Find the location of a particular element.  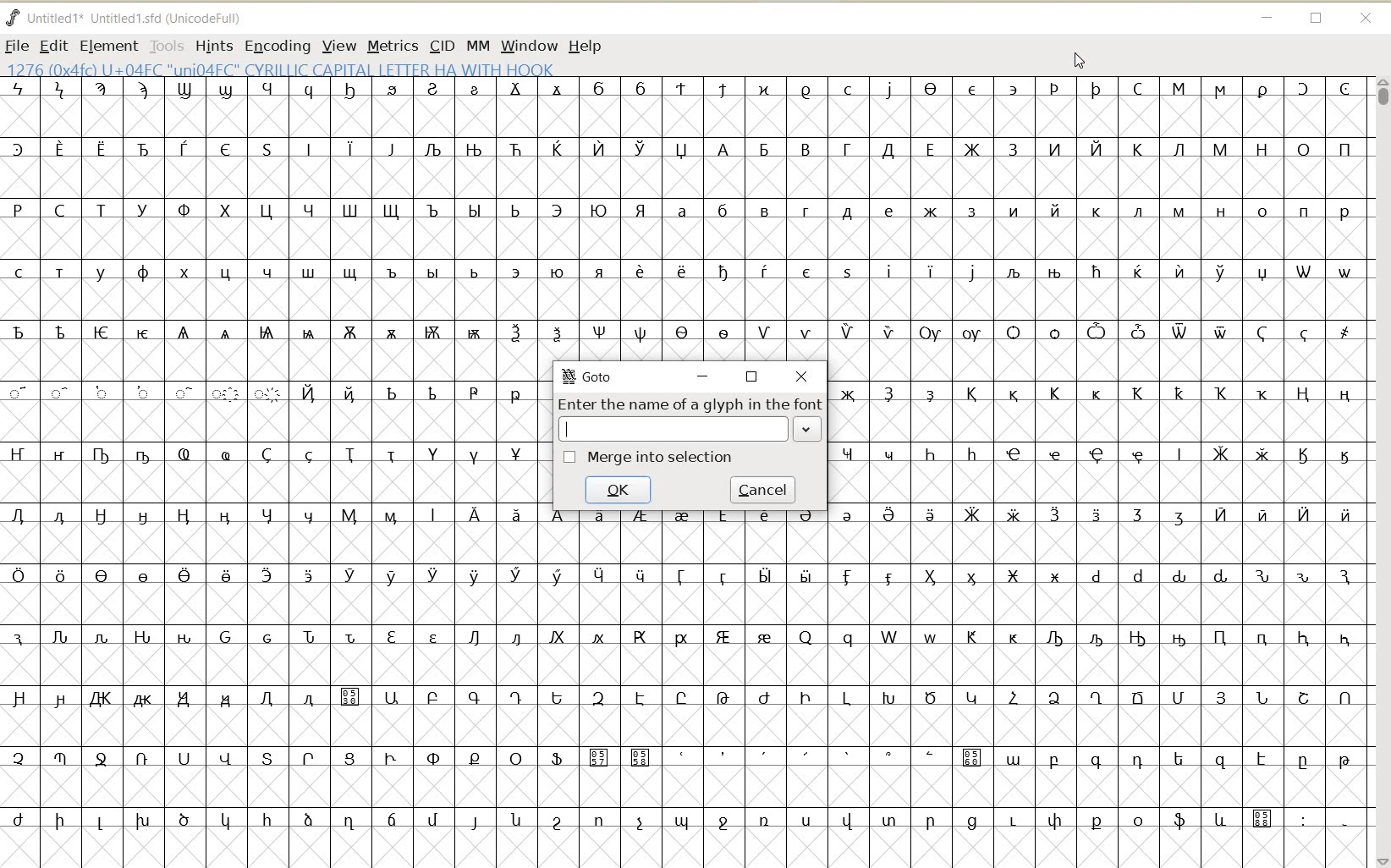

RESTORE is located at coordinates (1317, 19).